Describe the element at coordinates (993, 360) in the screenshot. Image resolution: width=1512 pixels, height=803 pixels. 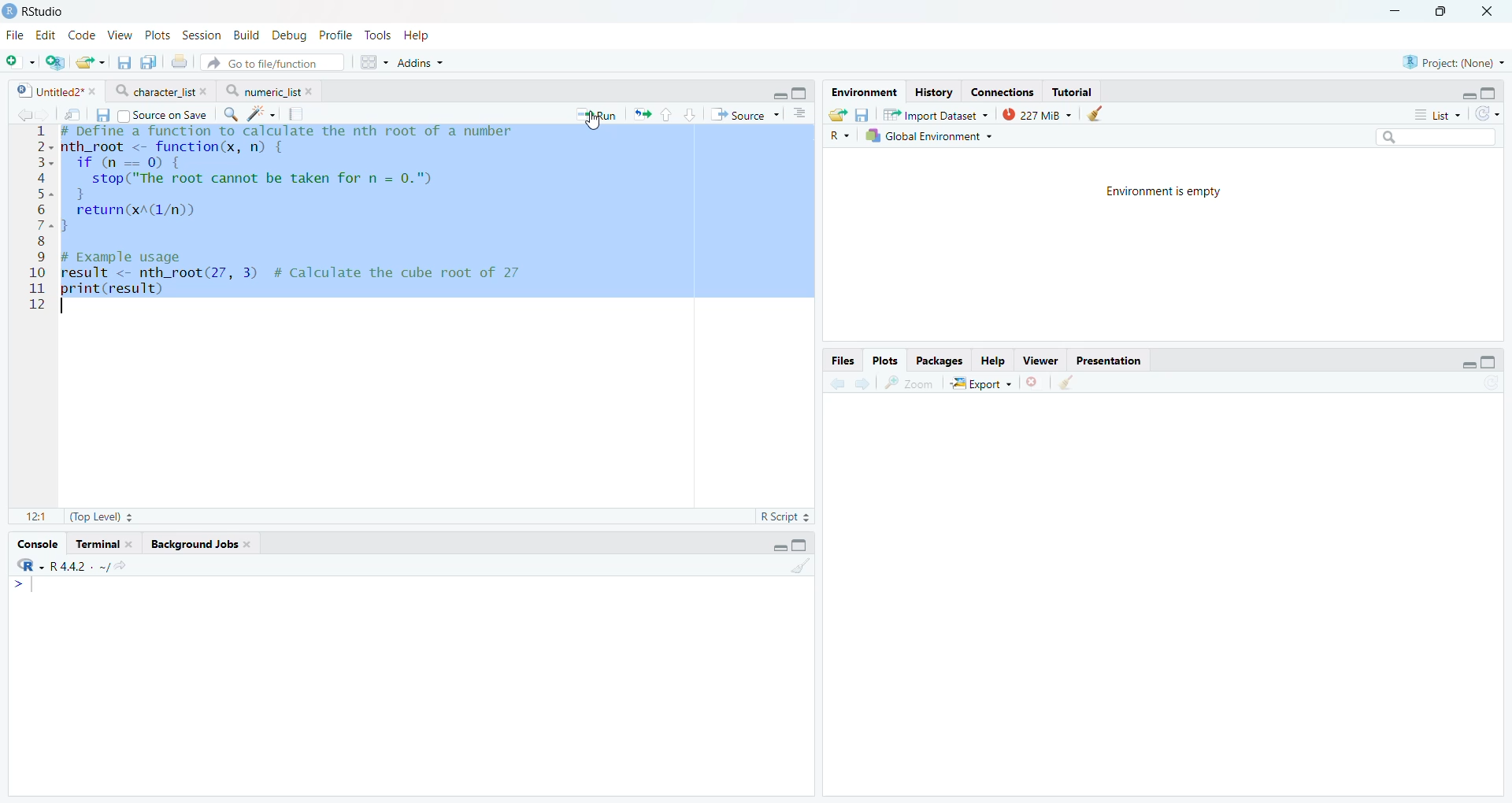
I see `` at that location.